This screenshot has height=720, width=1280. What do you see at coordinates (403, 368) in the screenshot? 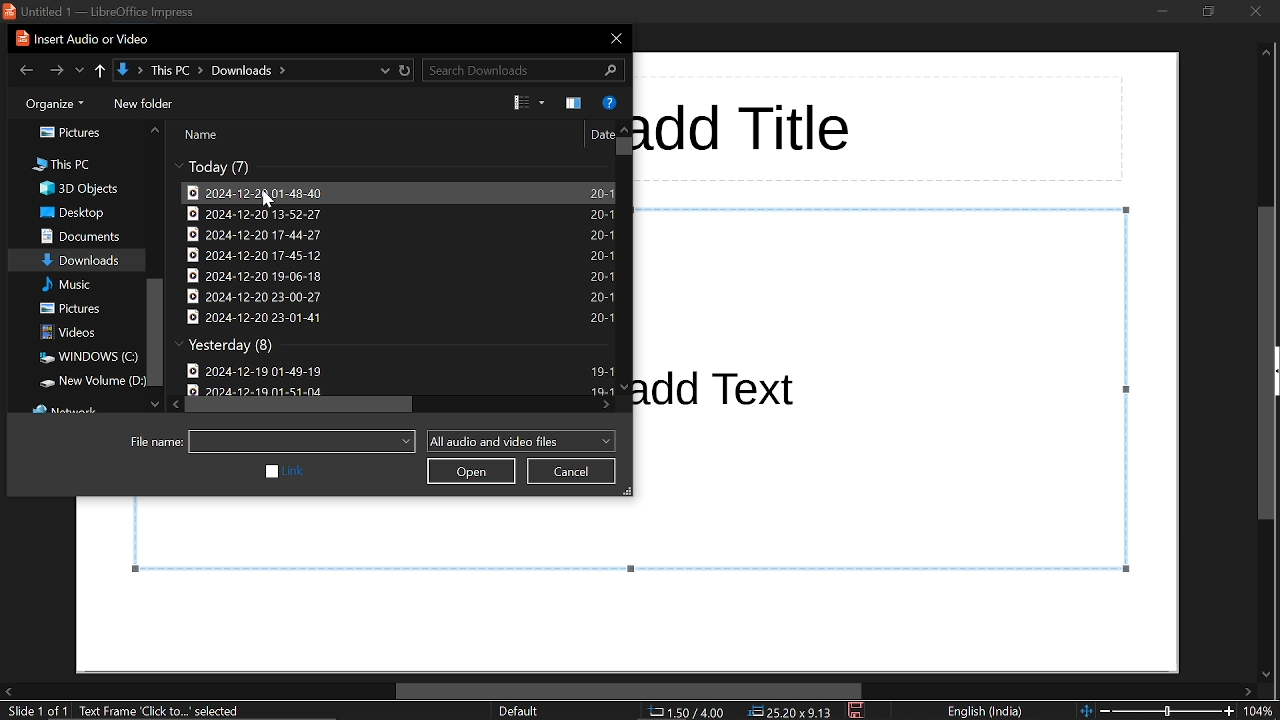
I see `file titled "2024-12-20 01-49-19"` at bounding box center [403, 368].